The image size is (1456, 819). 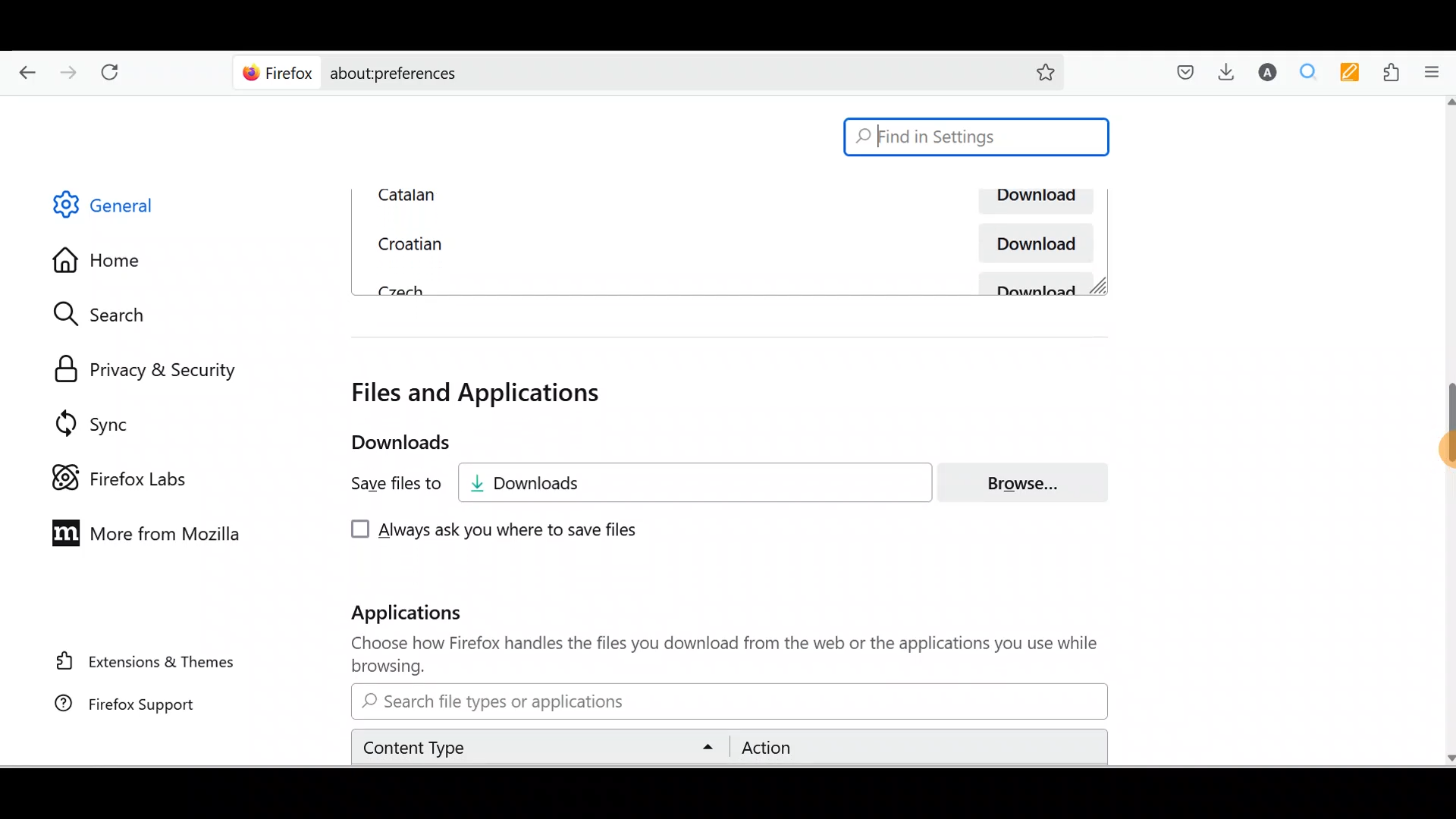 I want to click on Search bar, so click(x=726, y=701).